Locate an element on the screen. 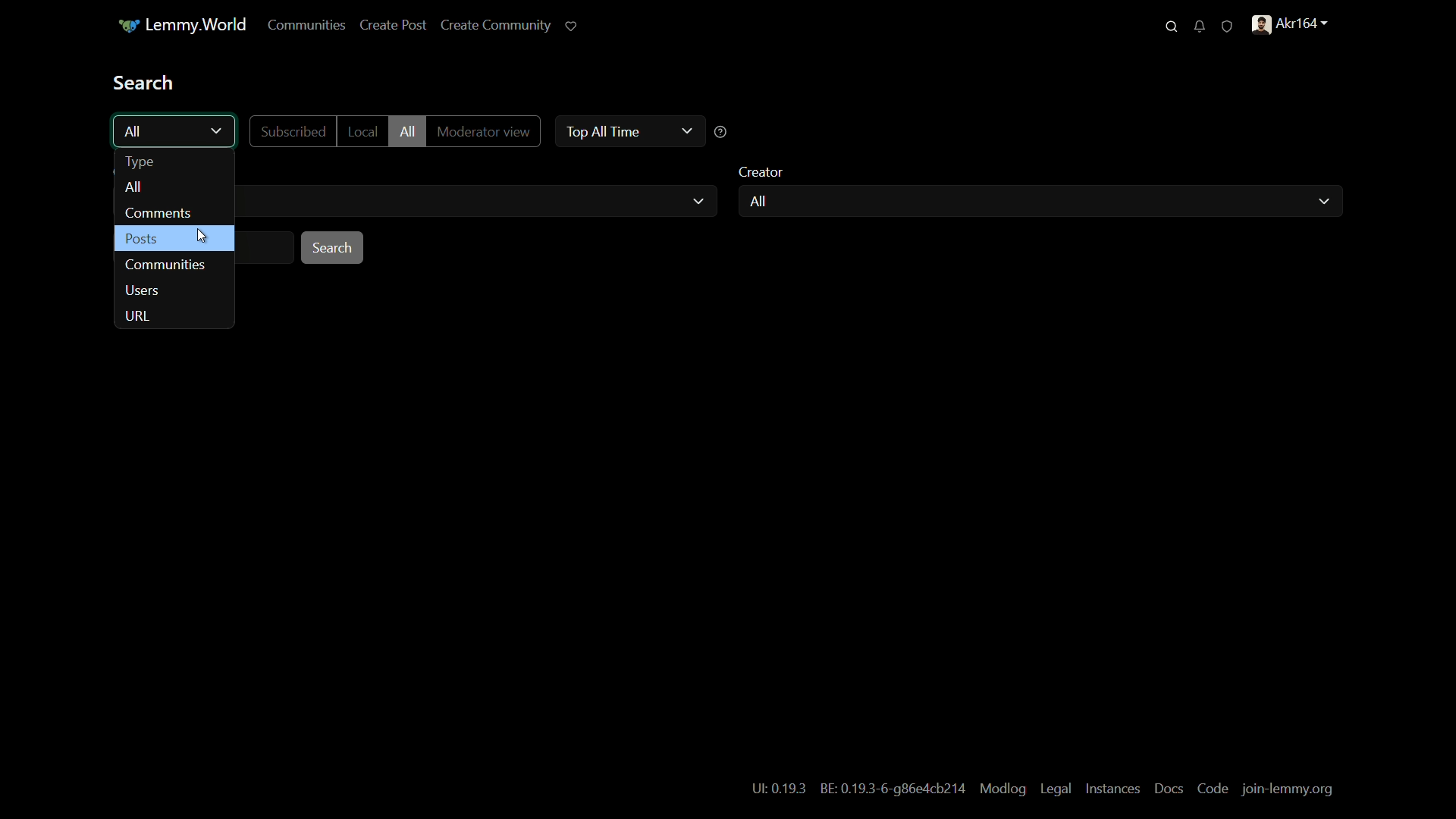 This screenshot has width=1456, height=819. dropdown is located at coordinates (686, 130).